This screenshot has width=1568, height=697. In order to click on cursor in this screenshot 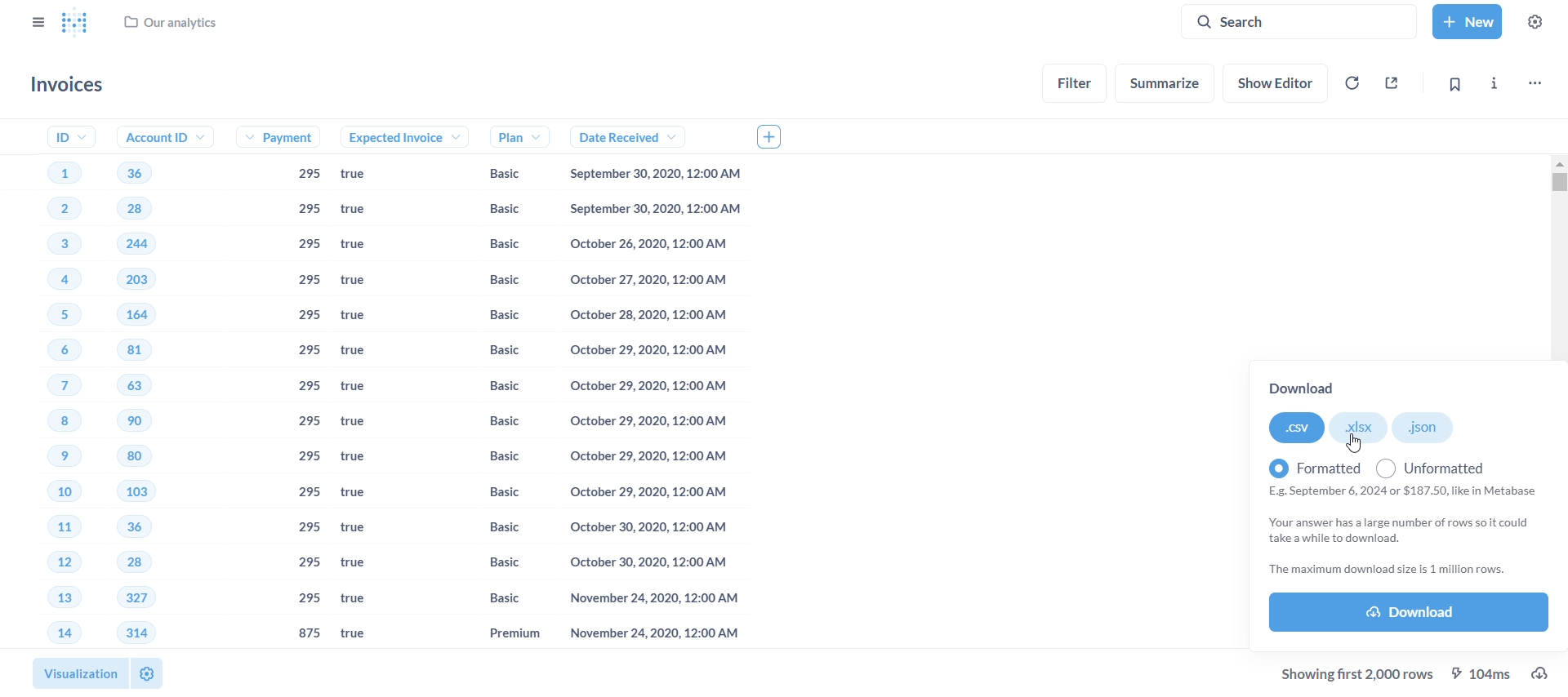, I will do `click(1355, 444)`.